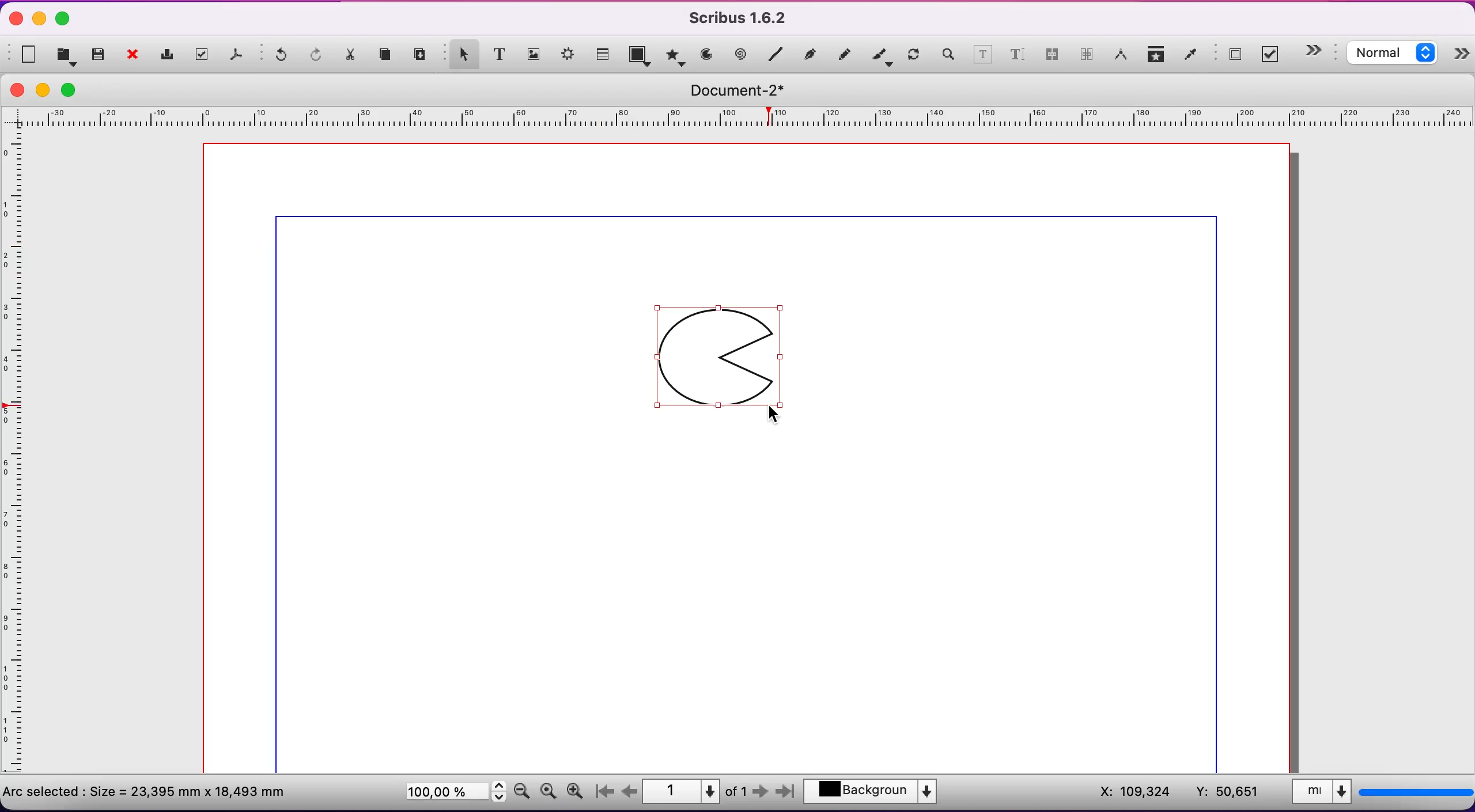  What do you see at coordinates (75, 89) in the screenshot?
I see `maximize` at bounding box center [75, 89].